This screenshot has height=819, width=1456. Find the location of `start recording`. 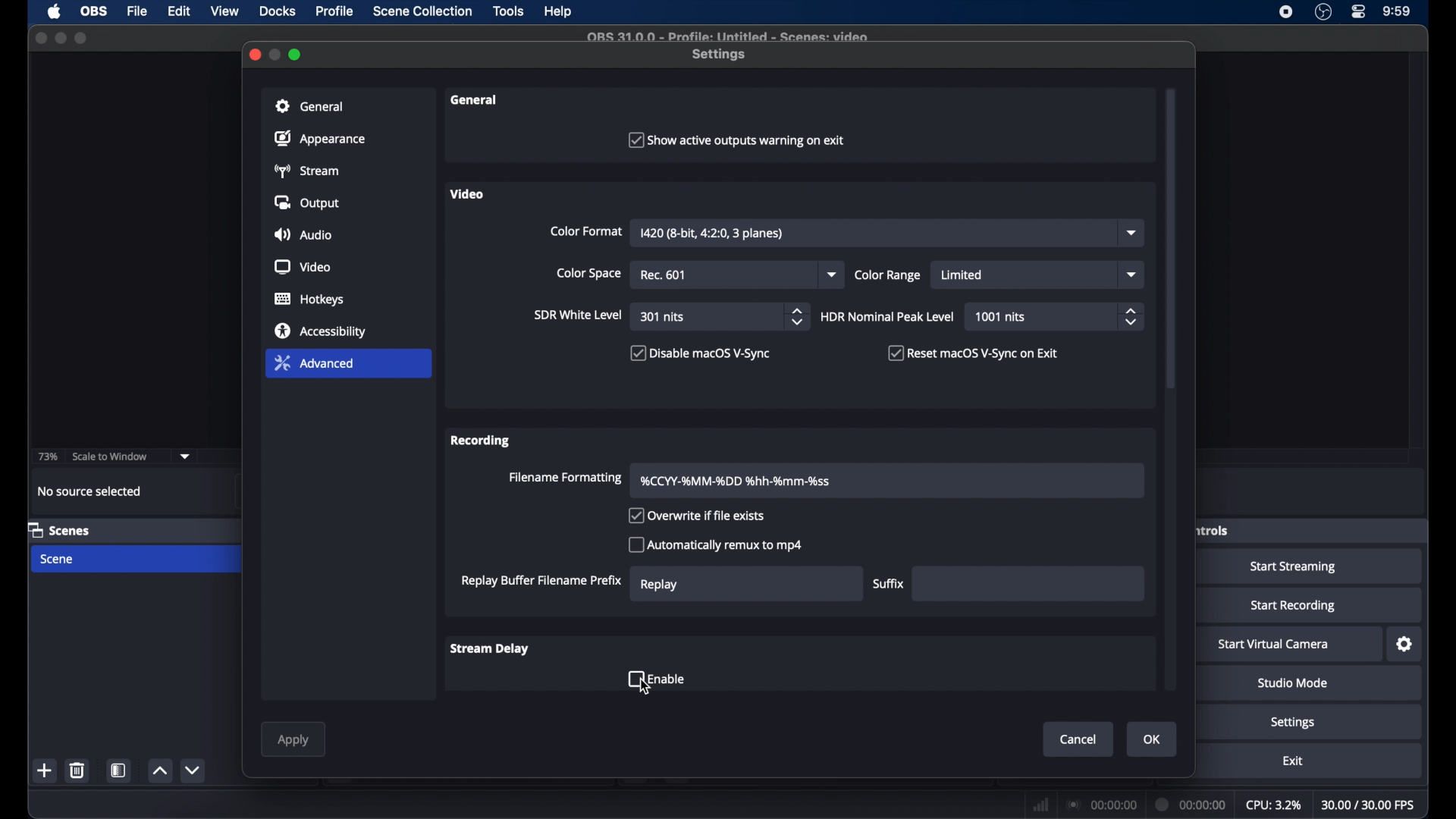

start recording is located at coordinates (1294, 606).